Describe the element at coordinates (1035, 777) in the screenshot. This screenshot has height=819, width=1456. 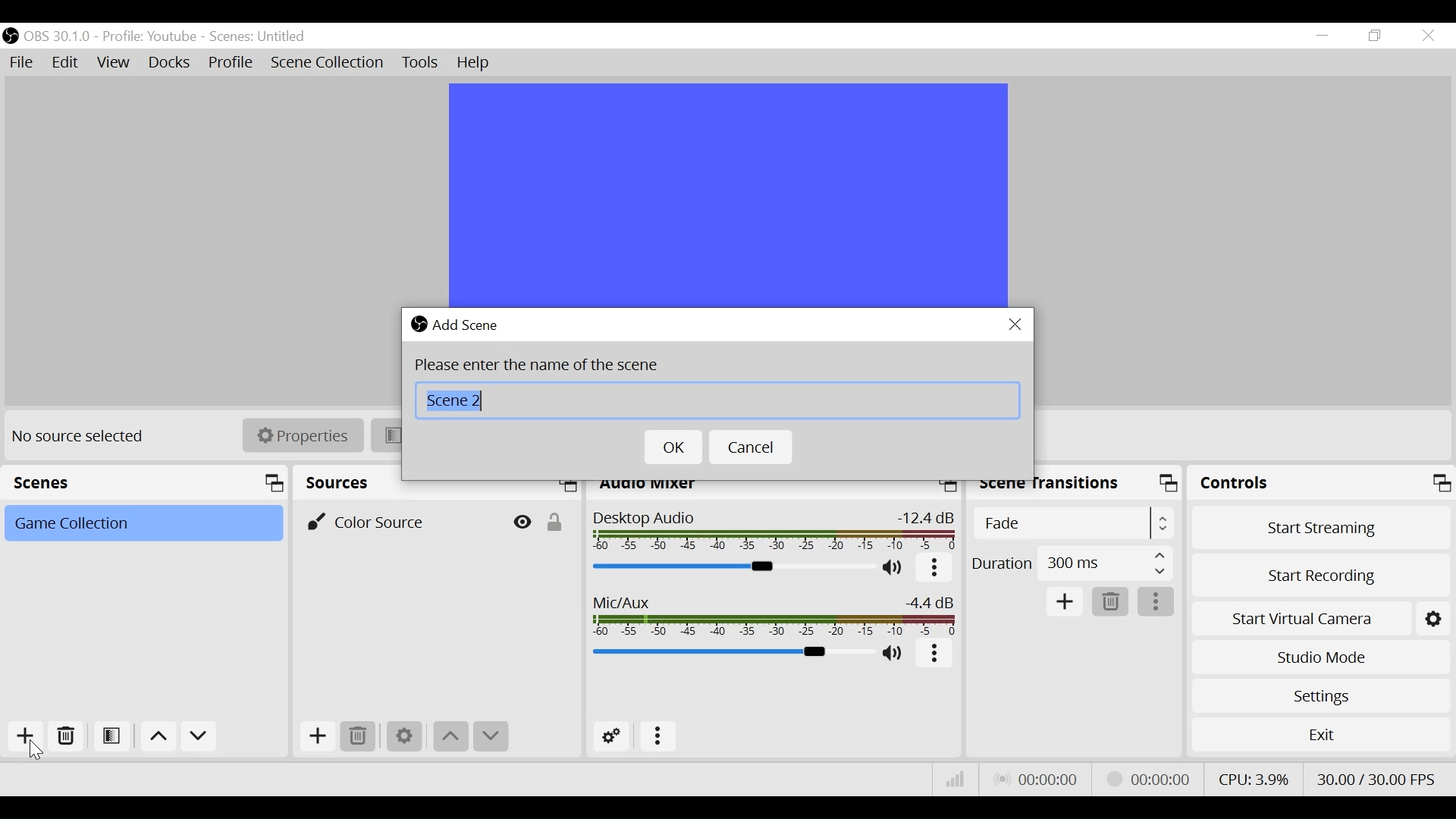
I see `Live Status` at that location.